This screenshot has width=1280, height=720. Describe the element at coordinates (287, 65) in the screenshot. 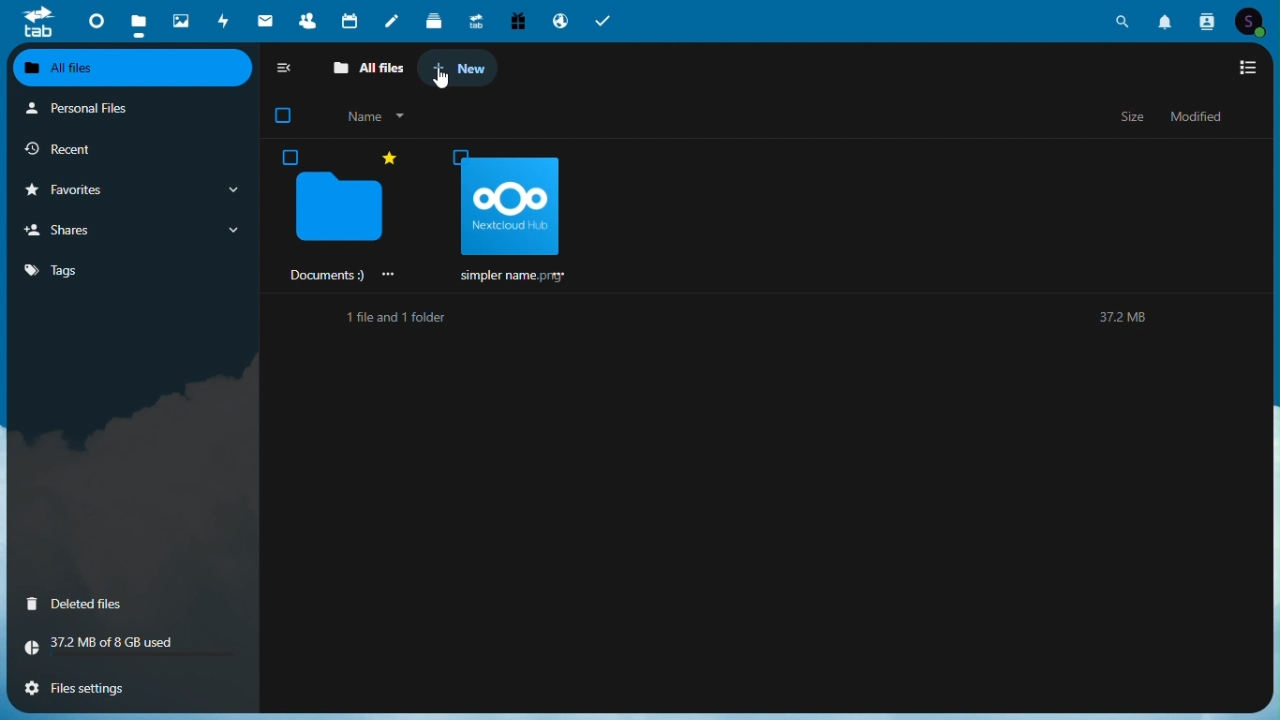

I see `collapse side bar` at that location.